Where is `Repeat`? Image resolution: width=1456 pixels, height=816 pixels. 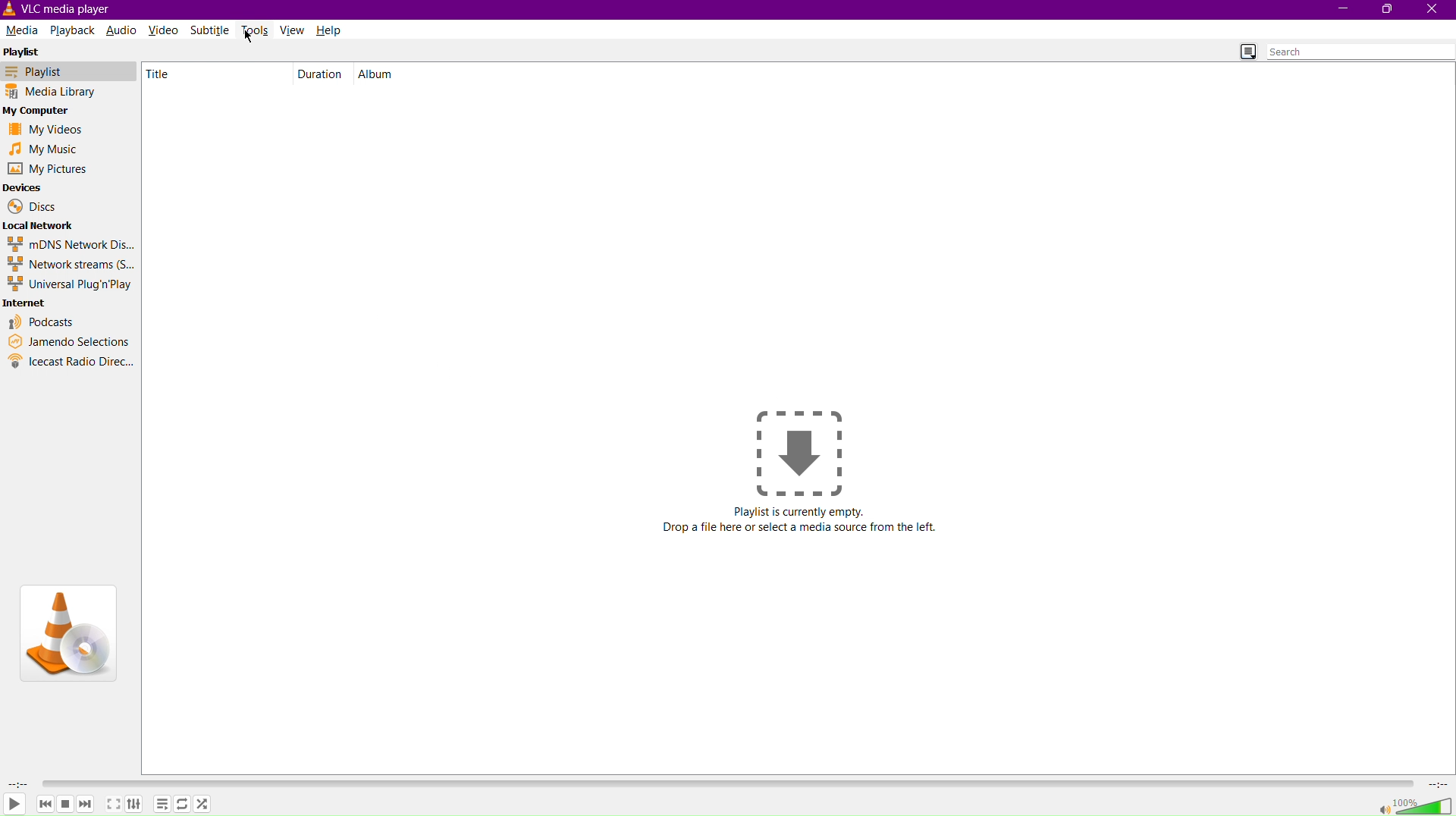 Repeat is located at coordinates (182, 804).